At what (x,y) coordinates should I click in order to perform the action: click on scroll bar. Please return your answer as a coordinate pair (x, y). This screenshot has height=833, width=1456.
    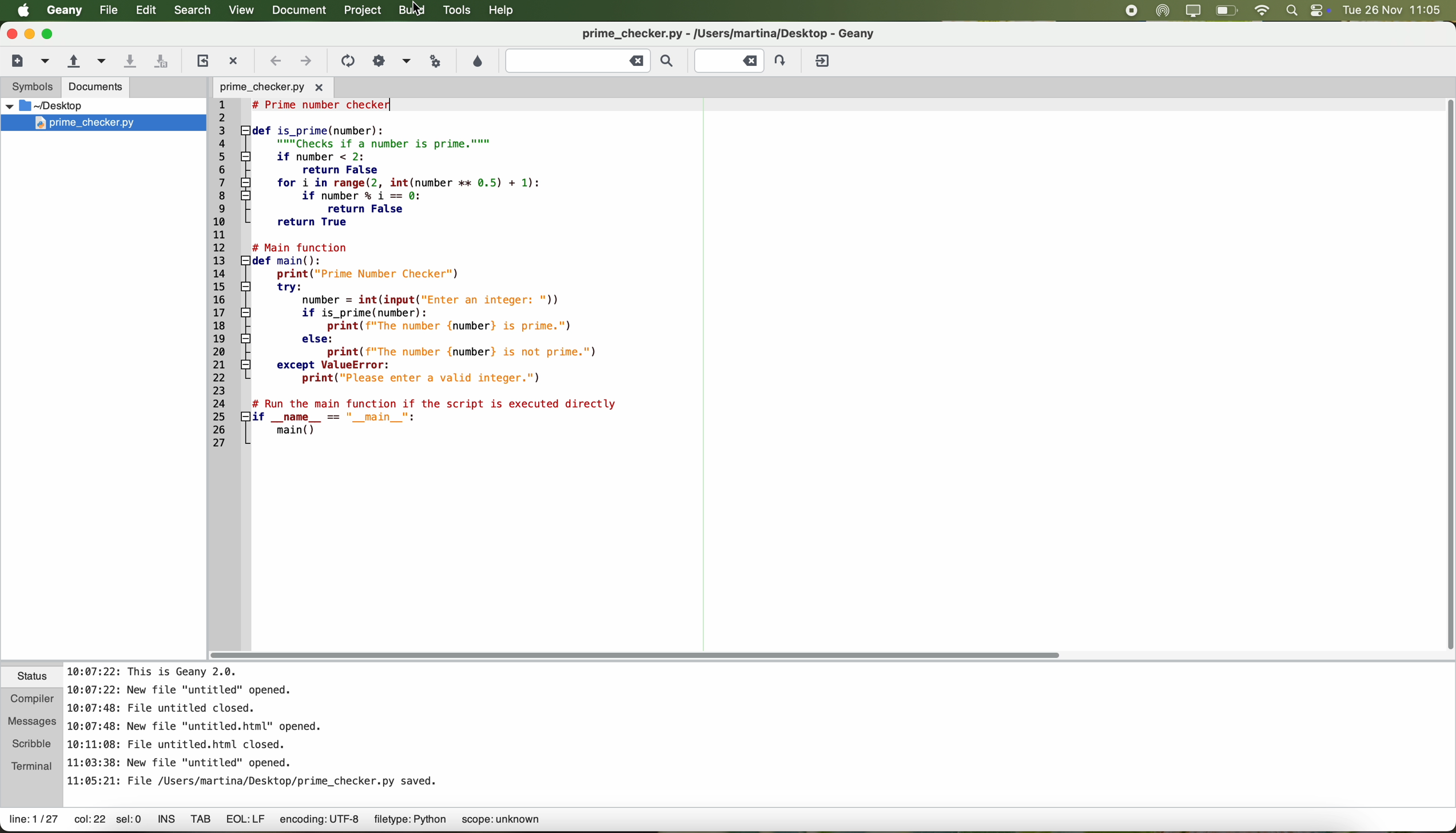
    Looking at the image, I should click on (642, 654).